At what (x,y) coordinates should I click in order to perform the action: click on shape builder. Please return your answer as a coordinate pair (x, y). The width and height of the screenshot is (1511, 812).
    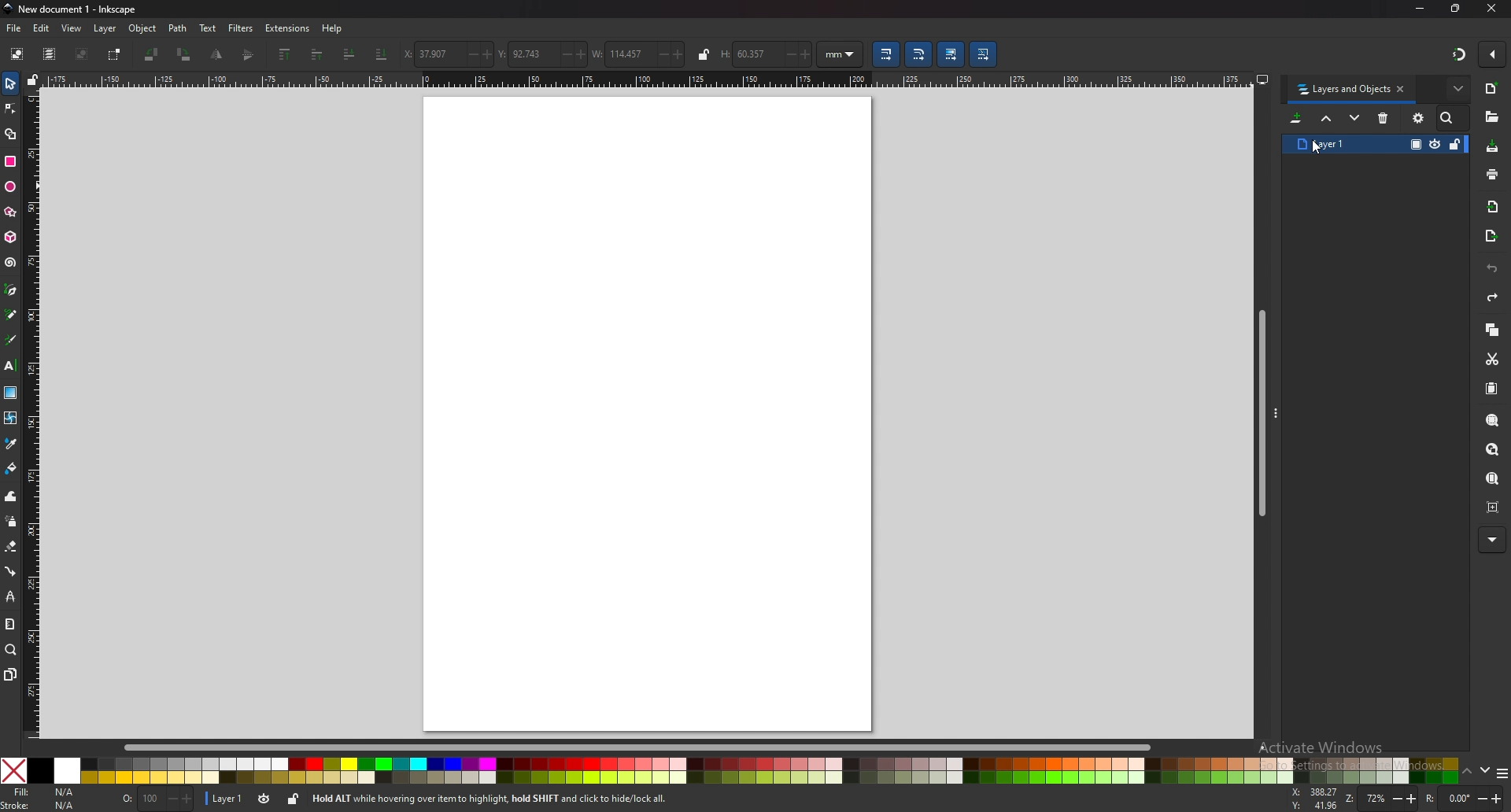
    Looking at the image, I should click on (9, 135).